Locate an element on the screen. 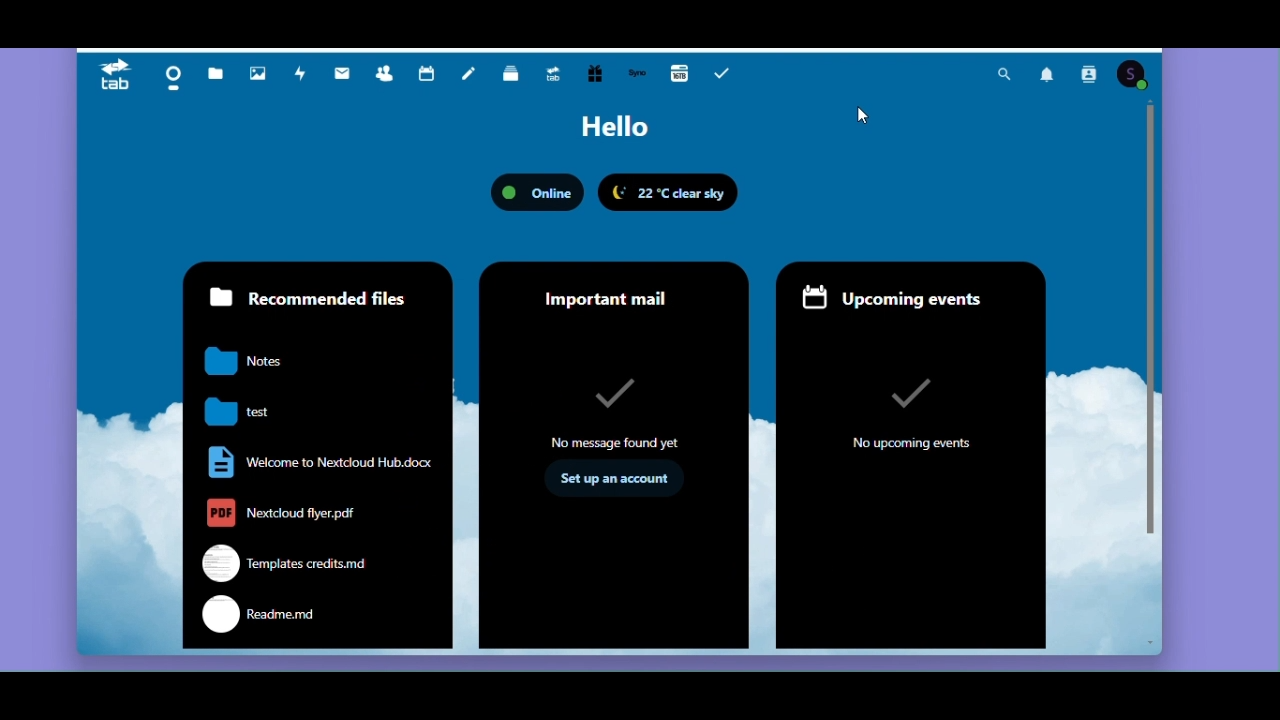 Image resolution: width=1280 pixels, height=720 pixels. Dashboard is located at coordinates (170, 77).